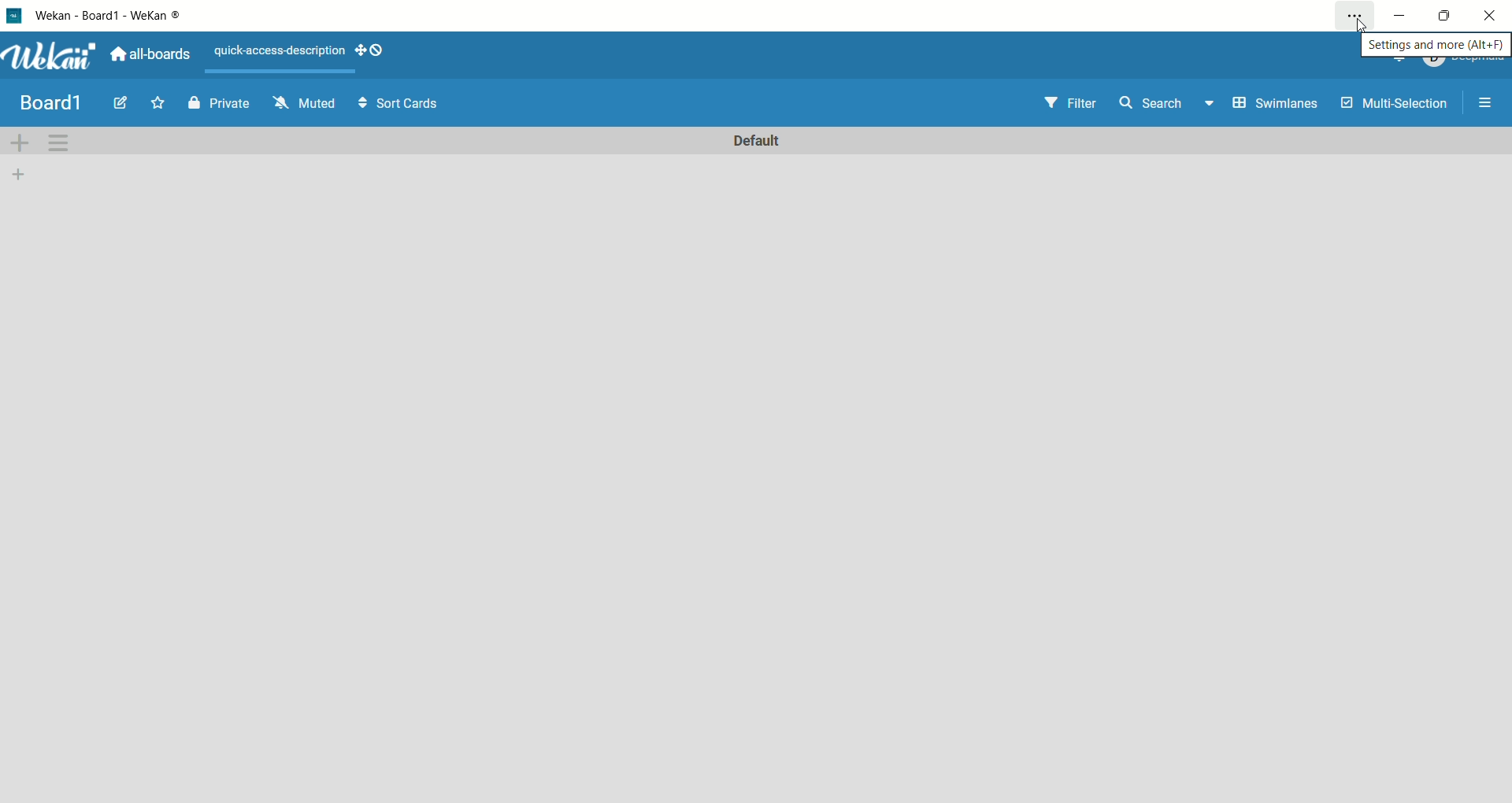  Describe the element at coordinates (59, 144) in the screenshot. I see `swimlane actions` at that location.